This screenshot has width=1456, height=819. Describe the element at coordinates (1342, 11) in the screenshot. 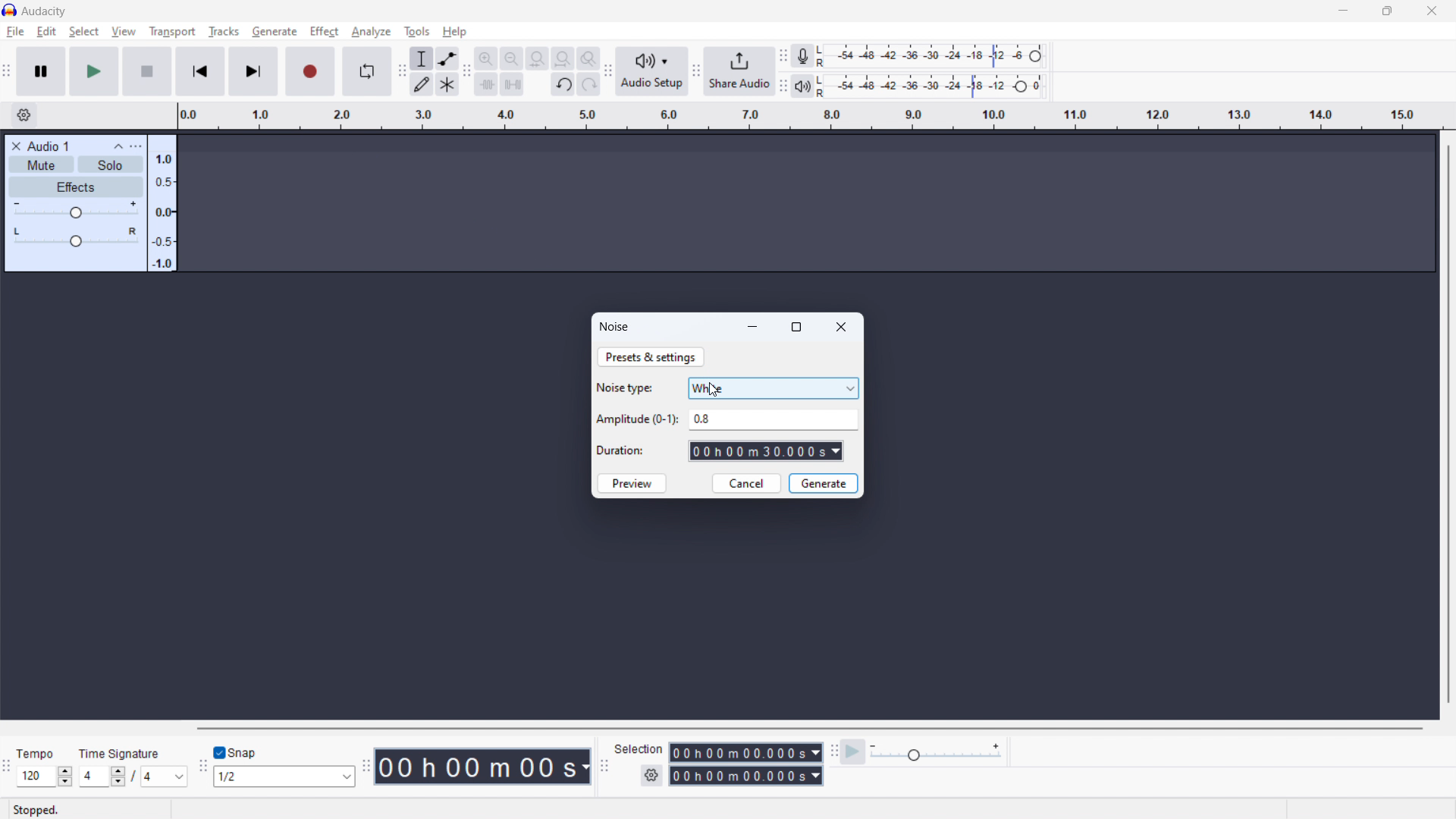

I see `minimize` at that location.